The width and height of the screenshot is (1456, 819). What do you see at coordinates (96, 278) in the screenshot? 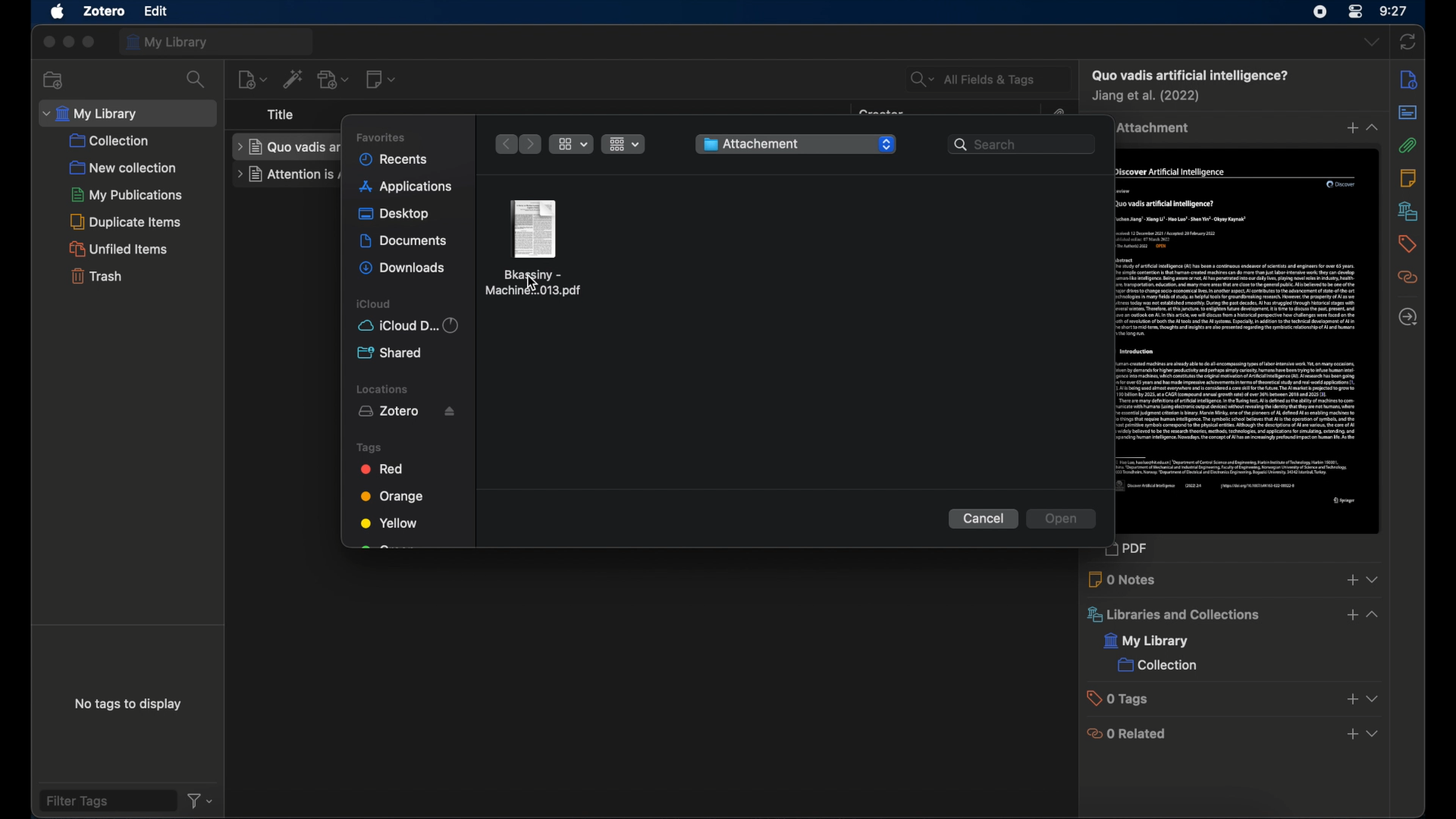
I see `trash` at bounding box center [96, 278].